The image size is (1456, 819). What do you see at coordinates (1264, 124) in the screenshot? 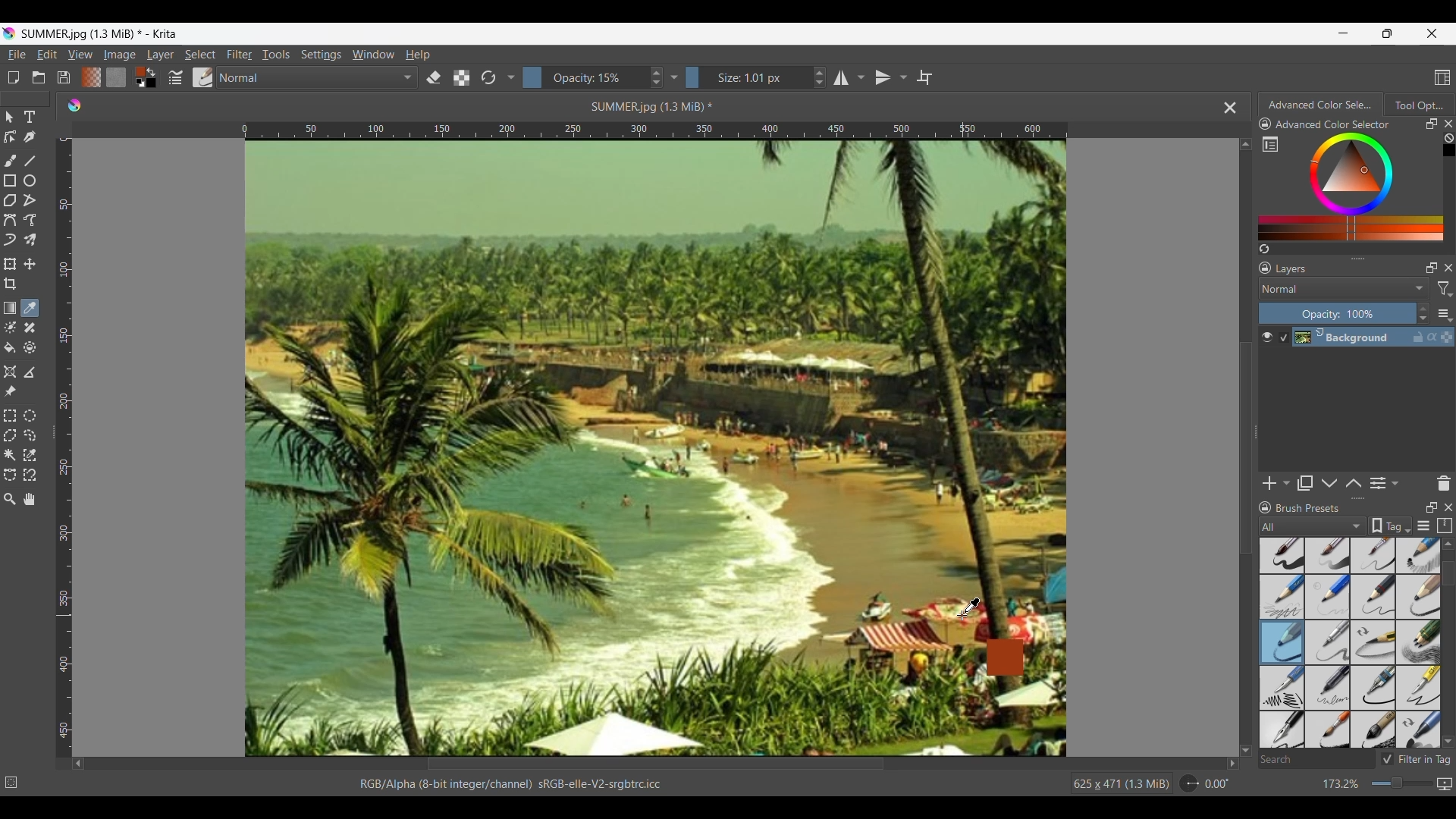
I see `Lock docker` at bounding box center [1264, 124].